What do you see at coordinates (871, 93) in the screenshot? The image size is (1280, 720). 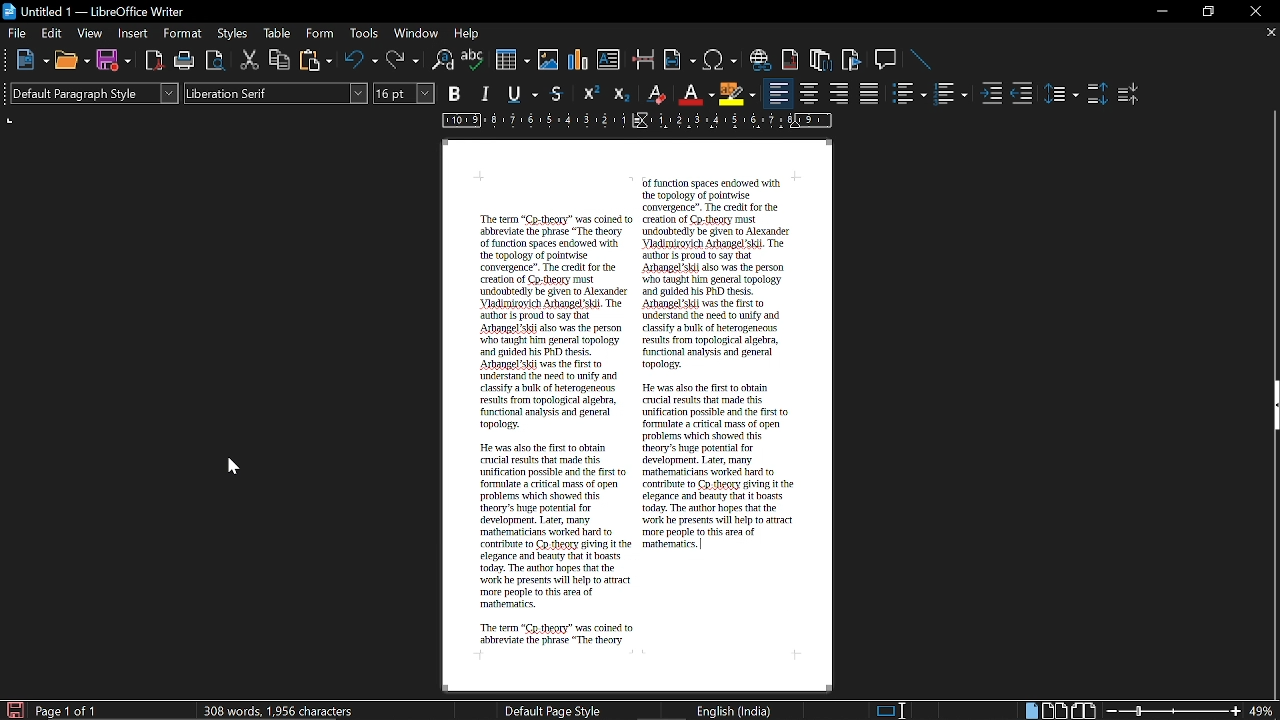 I see `Justified` at bounding box center [871, 93].